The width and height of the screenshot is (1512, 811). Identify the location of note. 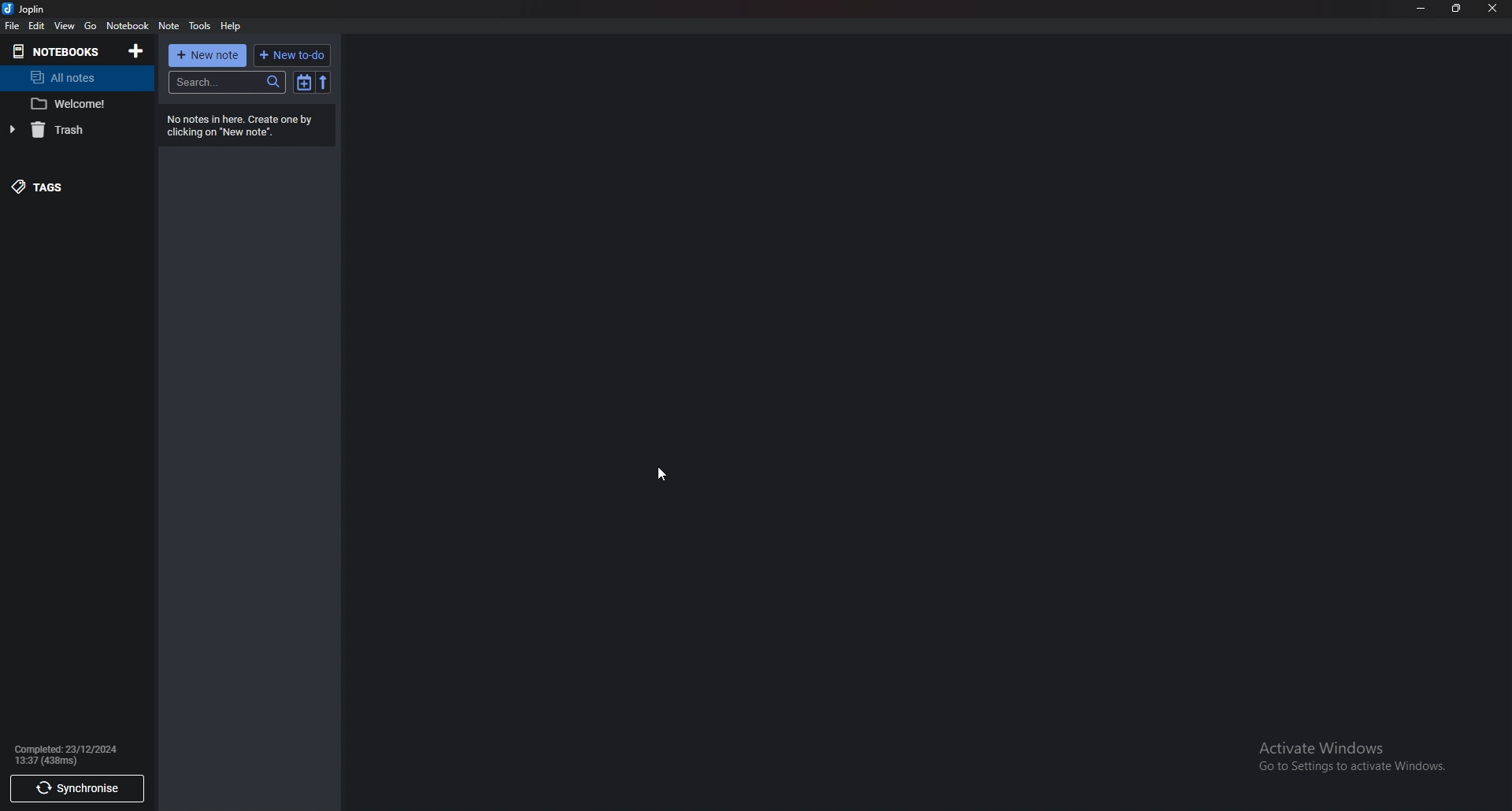
(169, 26).